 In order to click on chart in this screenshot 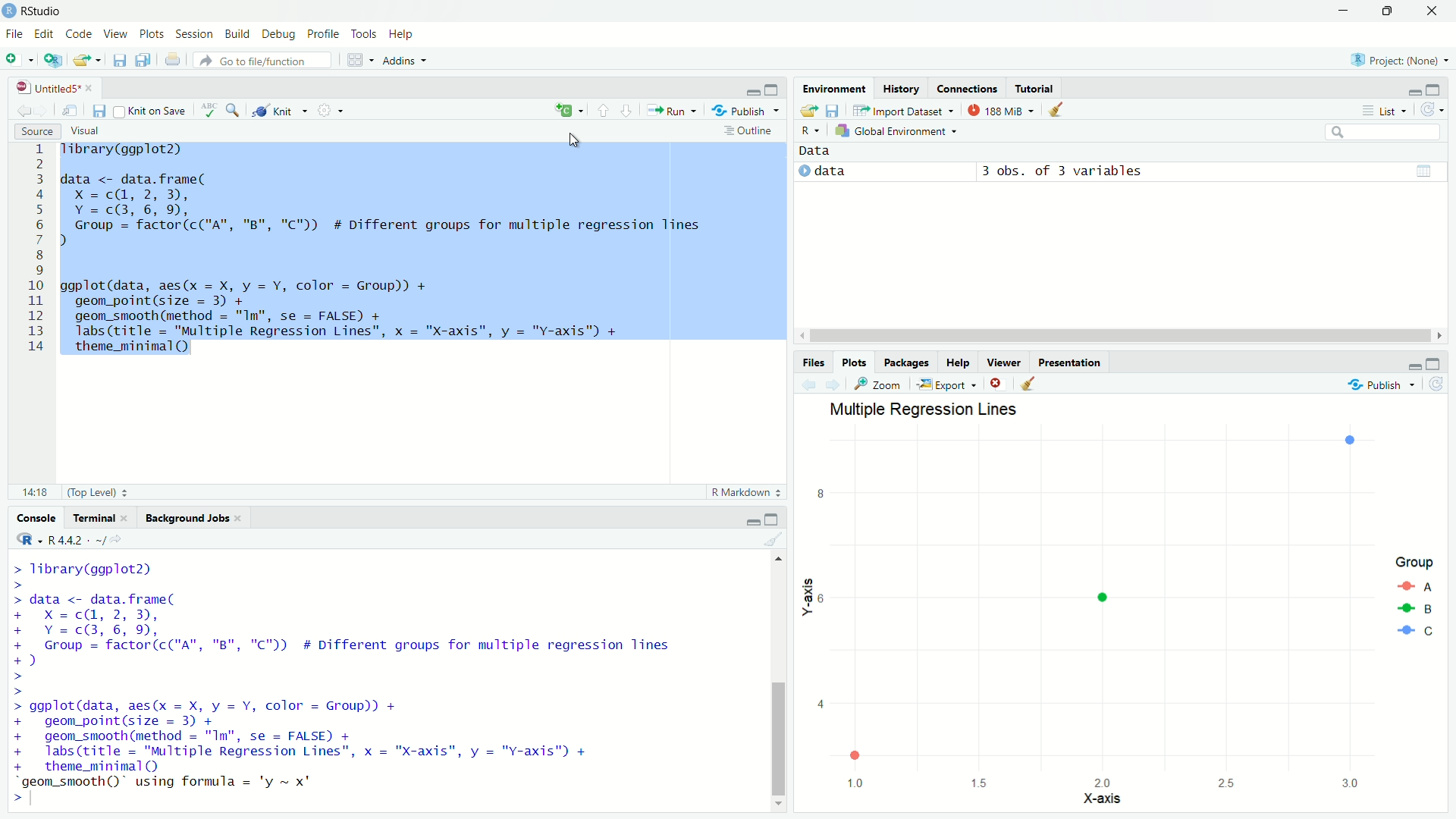, I will do `click(1121, 607)`.